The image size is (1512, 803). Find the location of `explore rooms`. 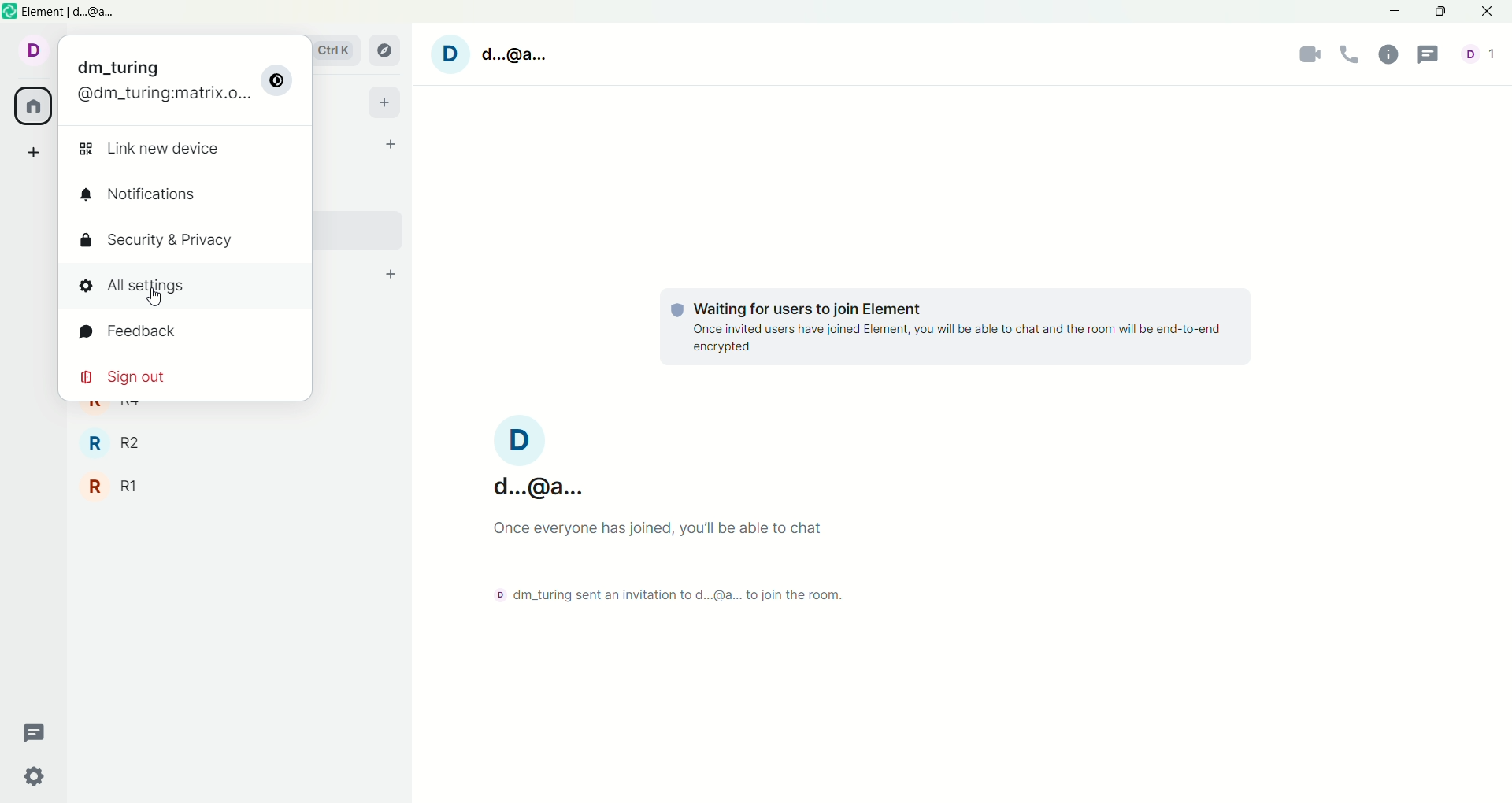

explore rooms is located at coordinates (389, 50).